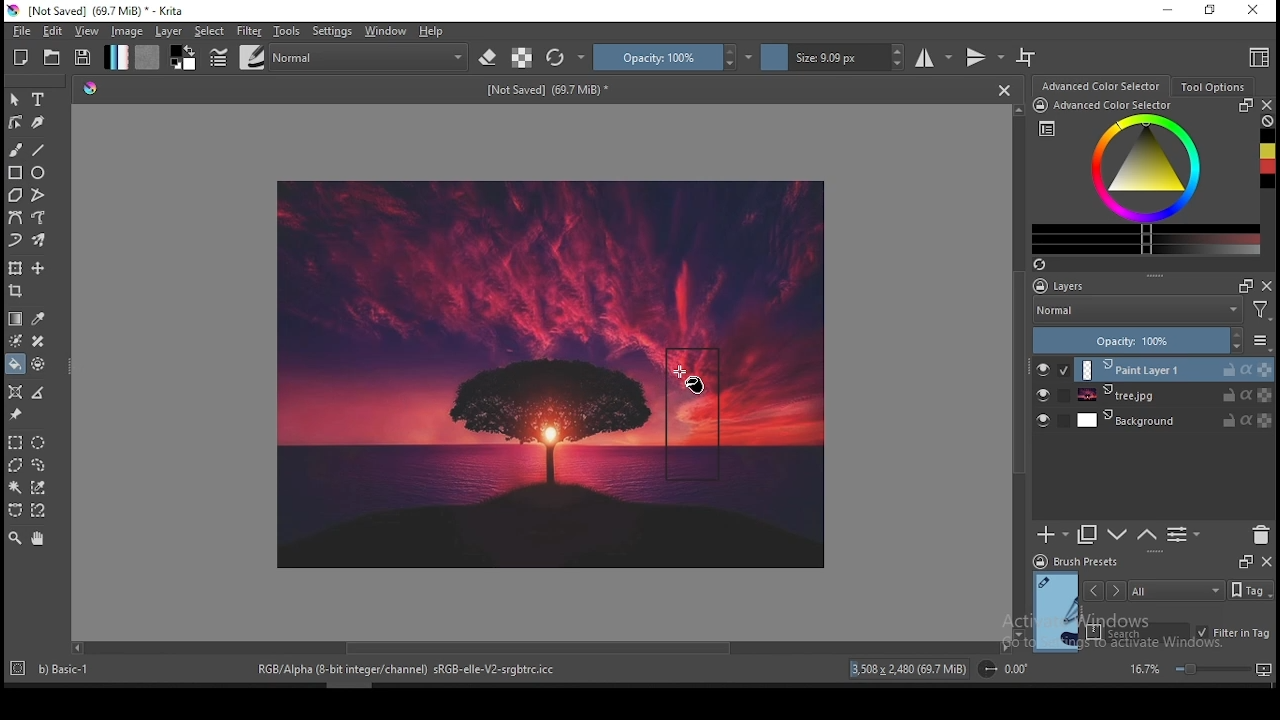 The width and height of the screenshot is (1280, 720). What do you see at coordinates (14, 442) in the screenshot?
I see `polygon selection tool` at bounding box center [14, 442].